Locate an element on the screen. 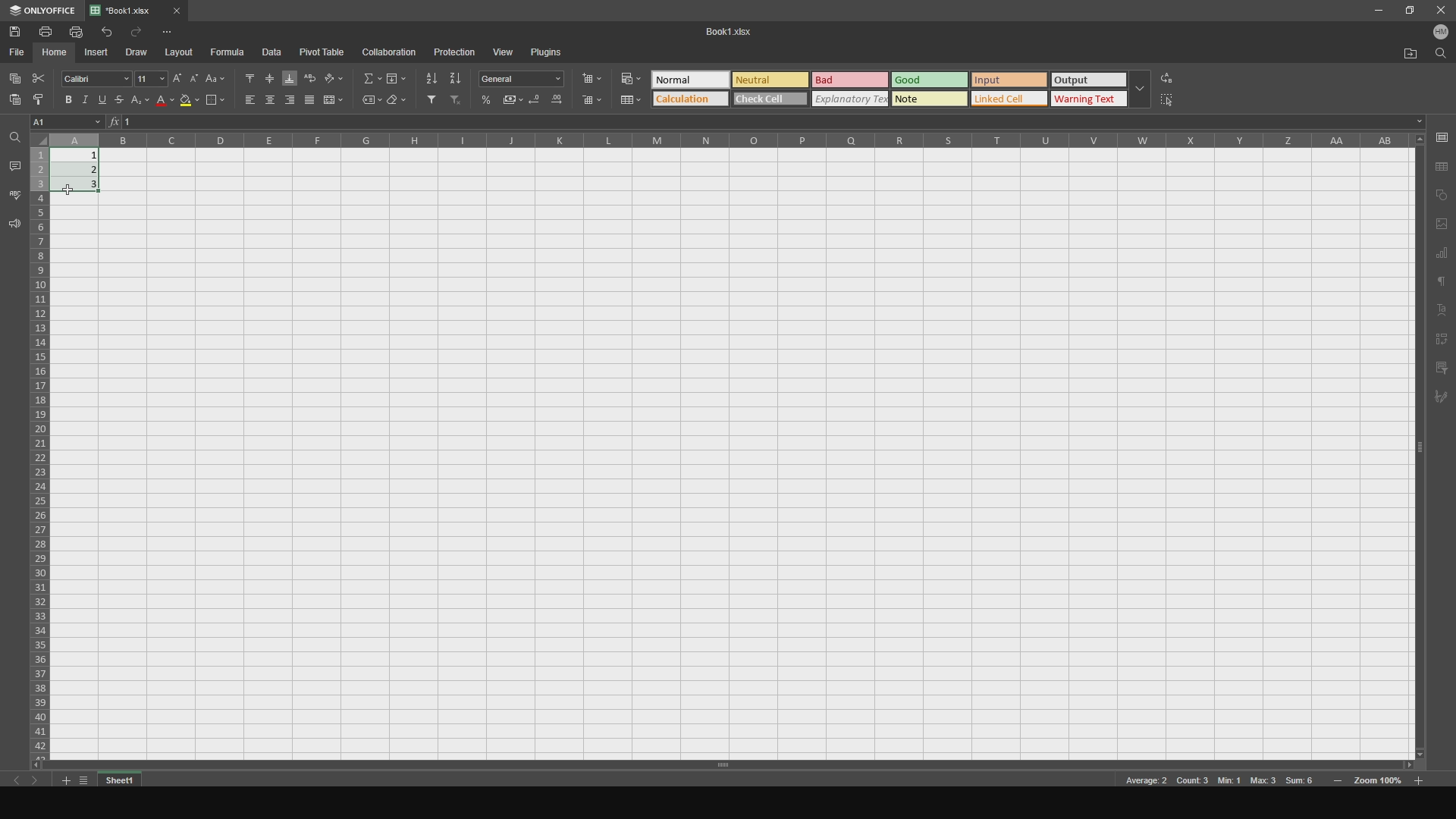 This screenshot has width=1456, height=819. bold is located at coordinates (66, 99).